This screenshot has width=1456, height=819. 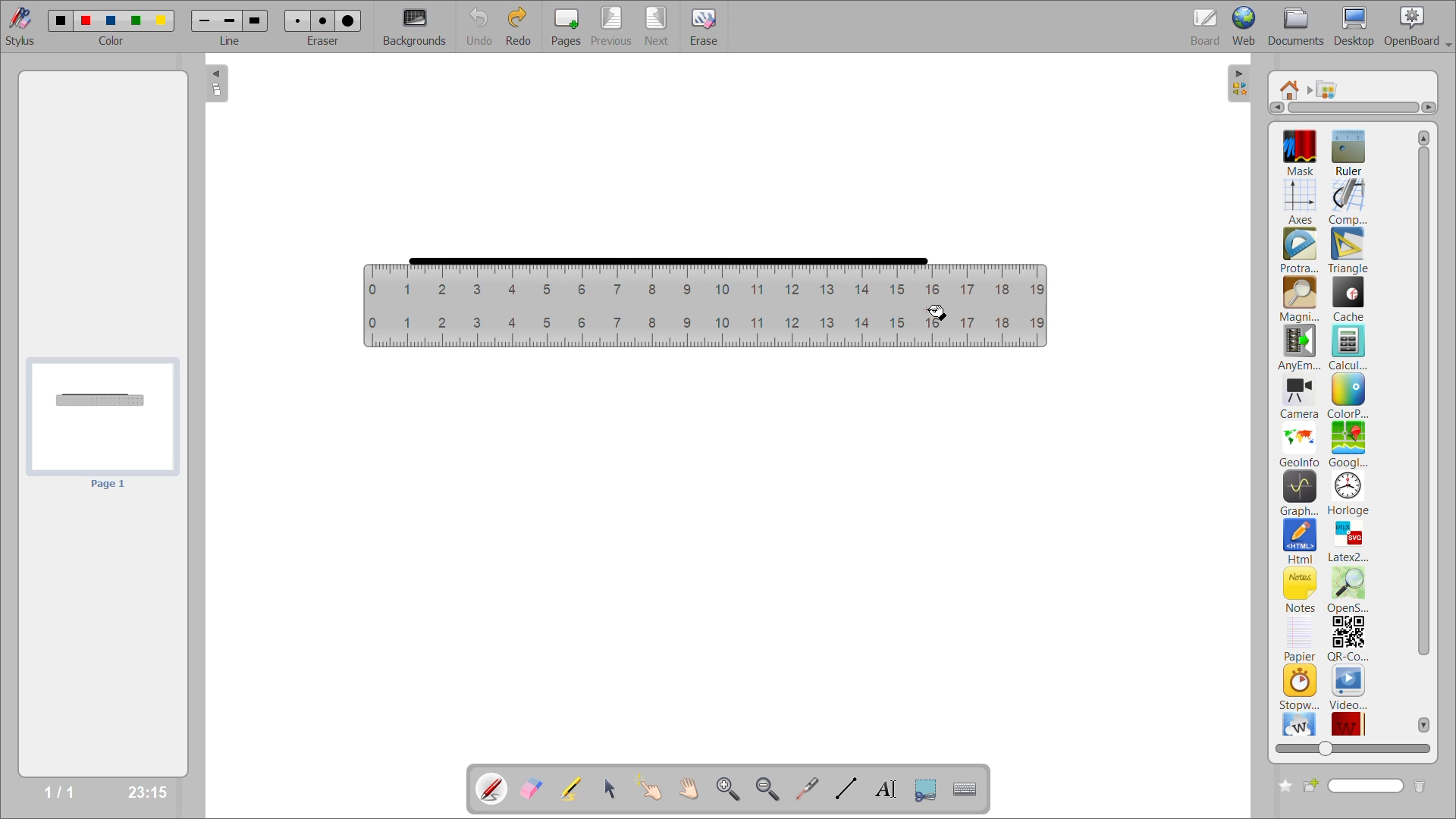 I want to click on mask, so click(x=1304, y=152).